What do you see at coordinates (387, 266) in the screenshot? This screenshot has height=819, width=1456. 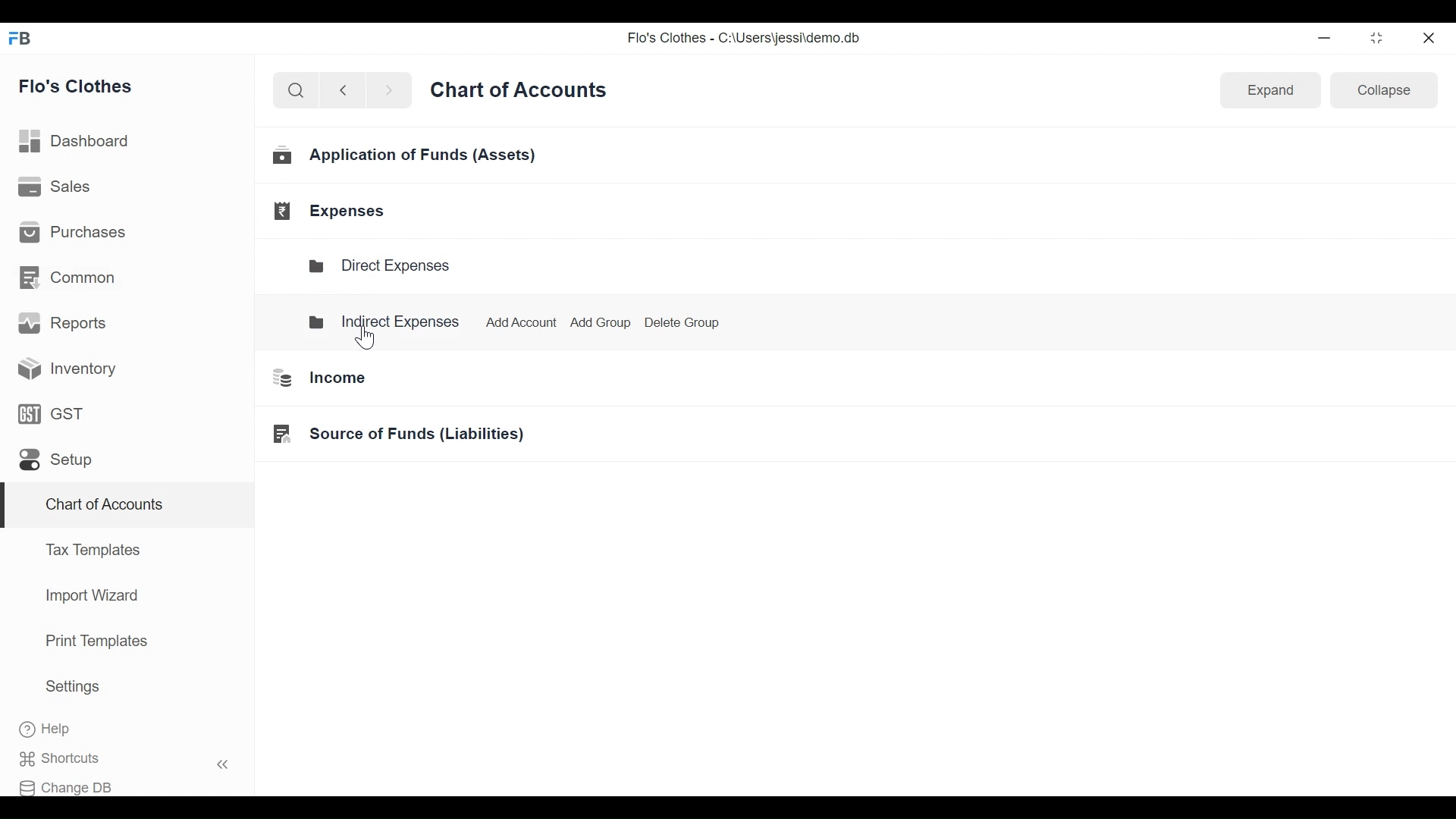 I see `Direct Expenses` at bounding box center [387, 266].